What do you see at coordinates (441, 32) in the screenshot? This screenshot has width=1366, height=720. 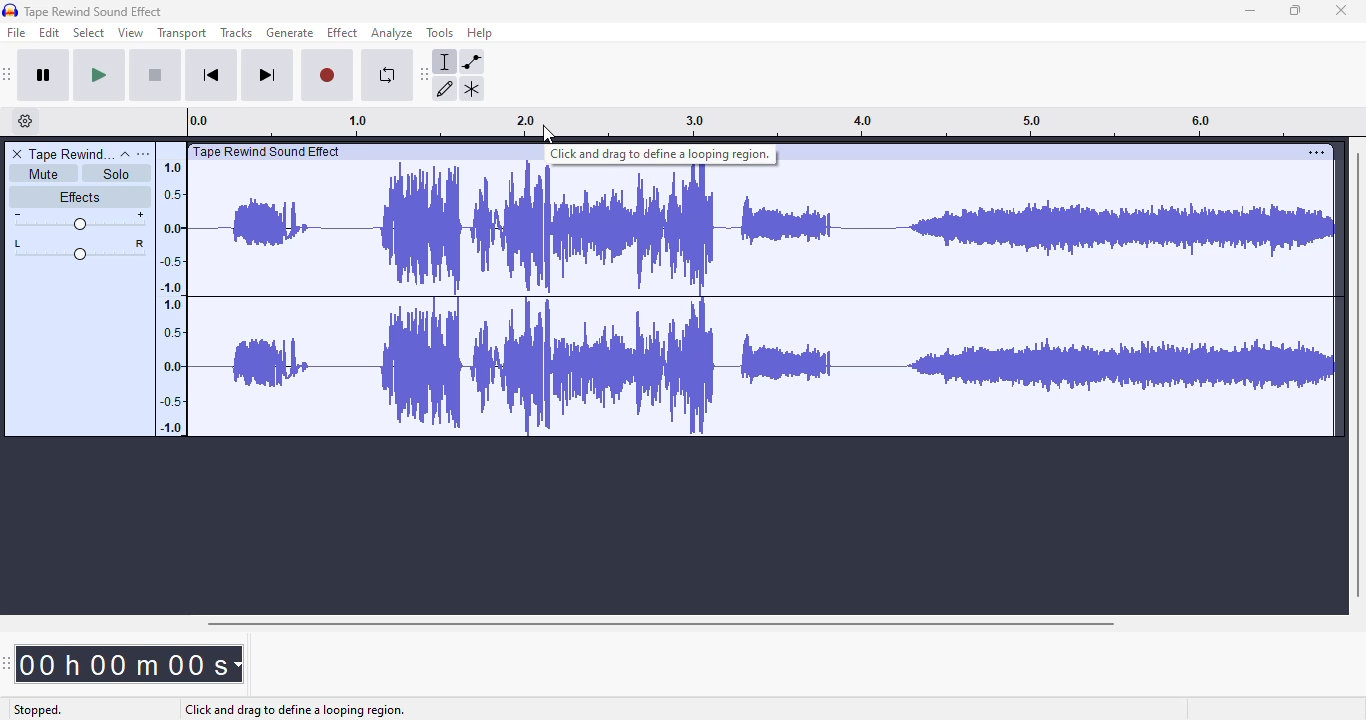 I see `tools` at bounding box center [441, 32].